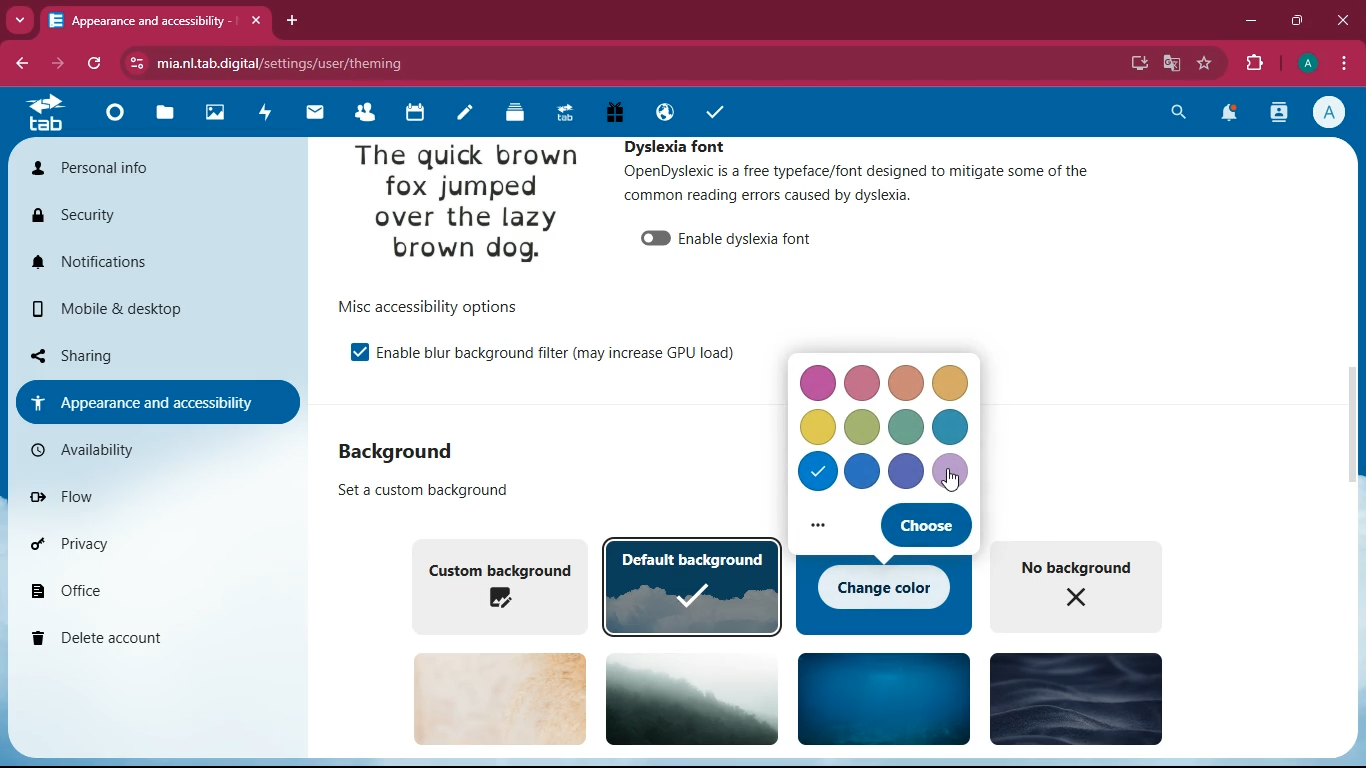 The width and height of the screenshot is (1366, 768). Describe the element at coordinates (654, 239) in the screenshot. I see `enable` at that location.